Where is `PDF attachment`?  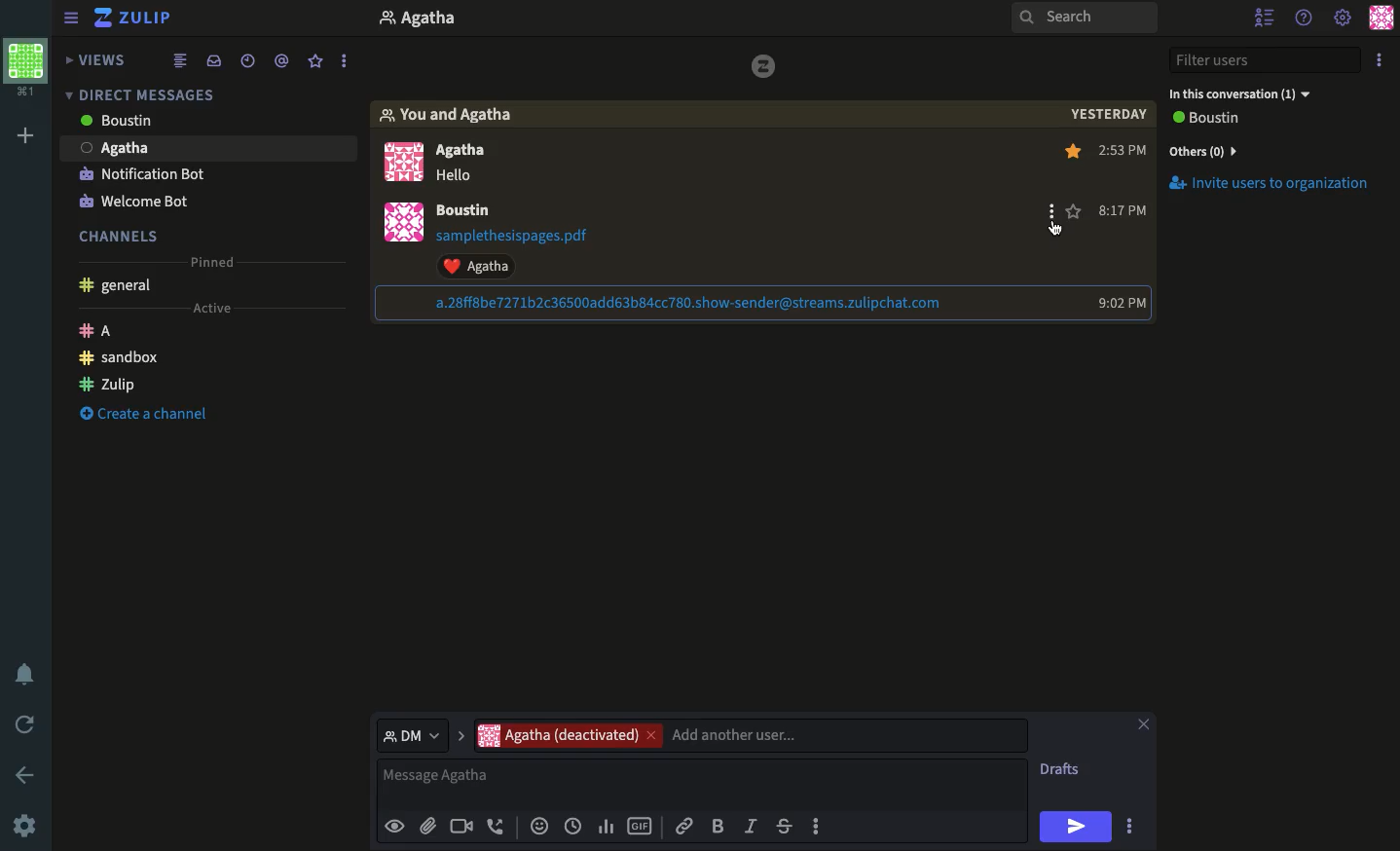 PDF attachment is located at coordinates (531, 236).